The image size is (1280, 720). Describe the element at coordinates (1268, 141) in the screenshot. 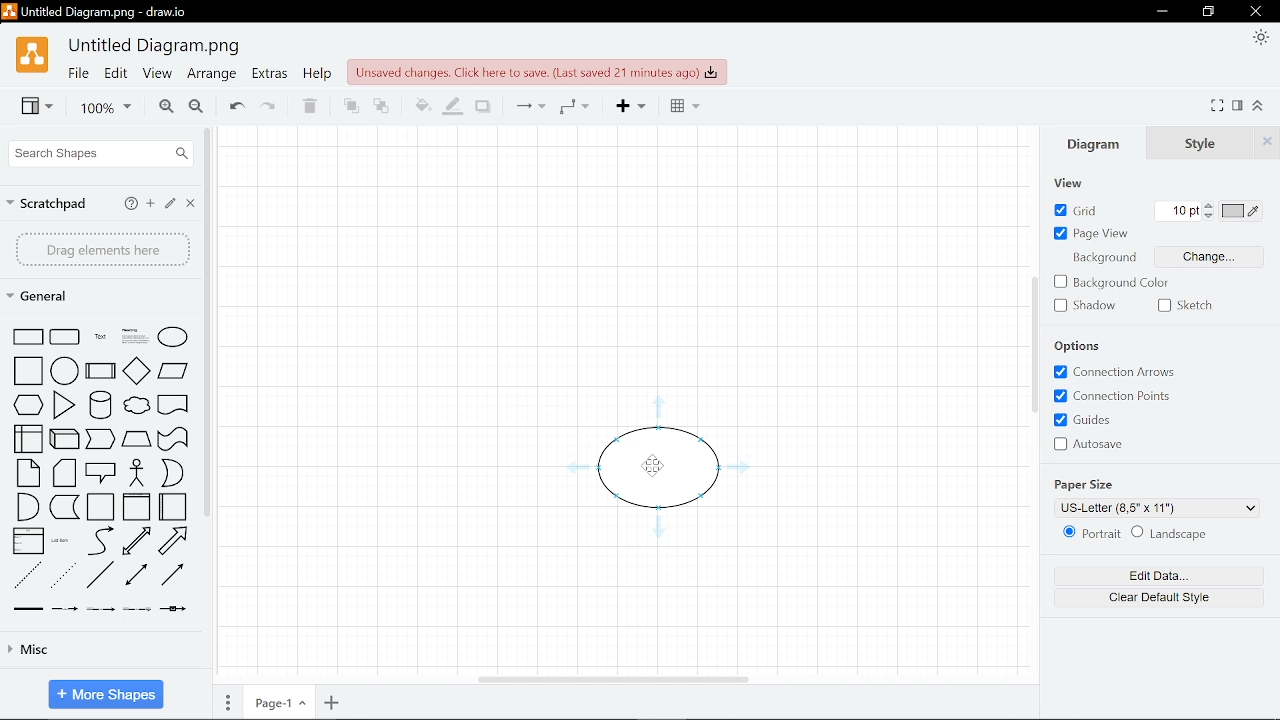

I see `Close sidebar` at that location.